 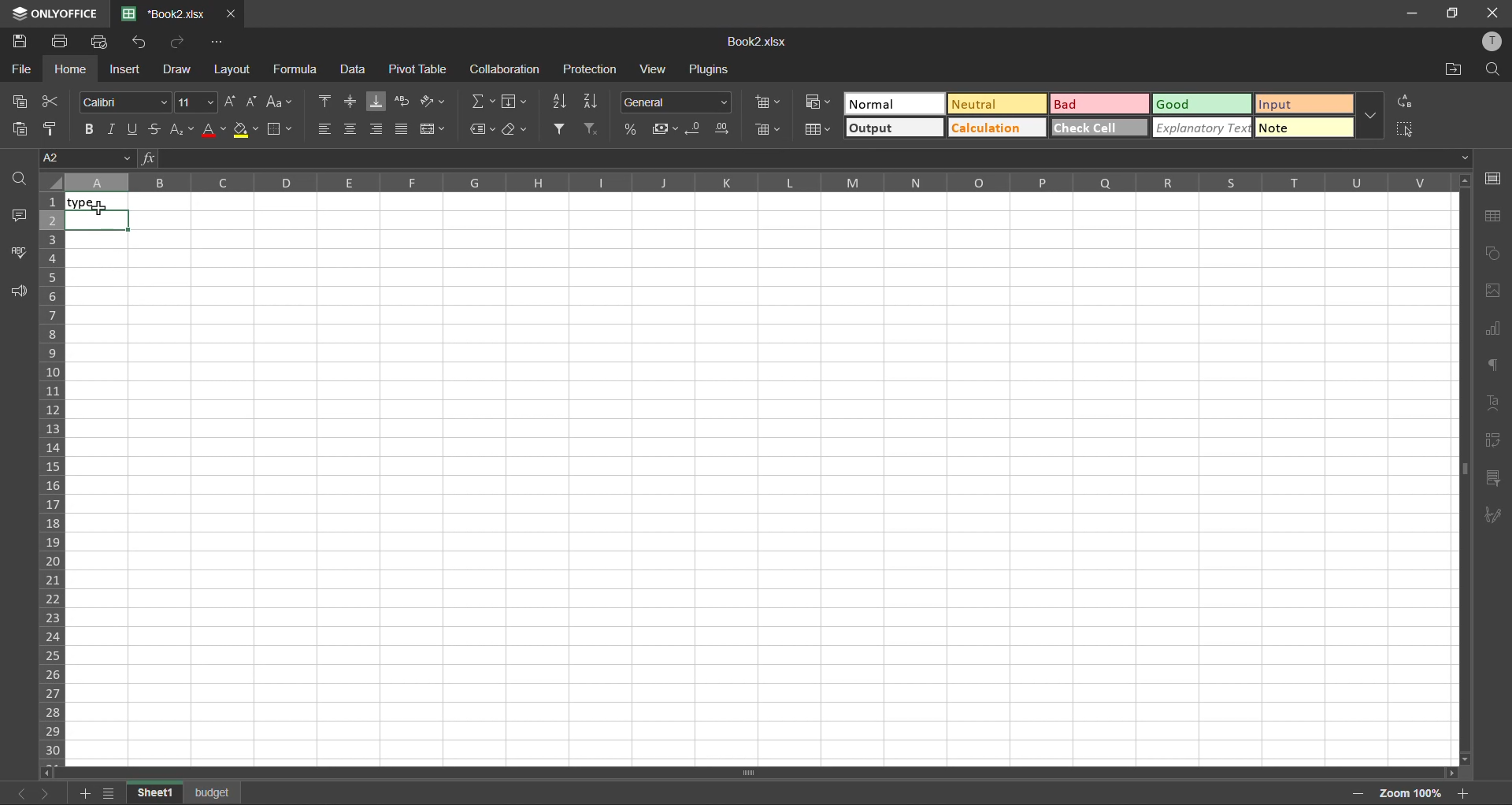 I want to click on find, so click(x=1496, y=70).